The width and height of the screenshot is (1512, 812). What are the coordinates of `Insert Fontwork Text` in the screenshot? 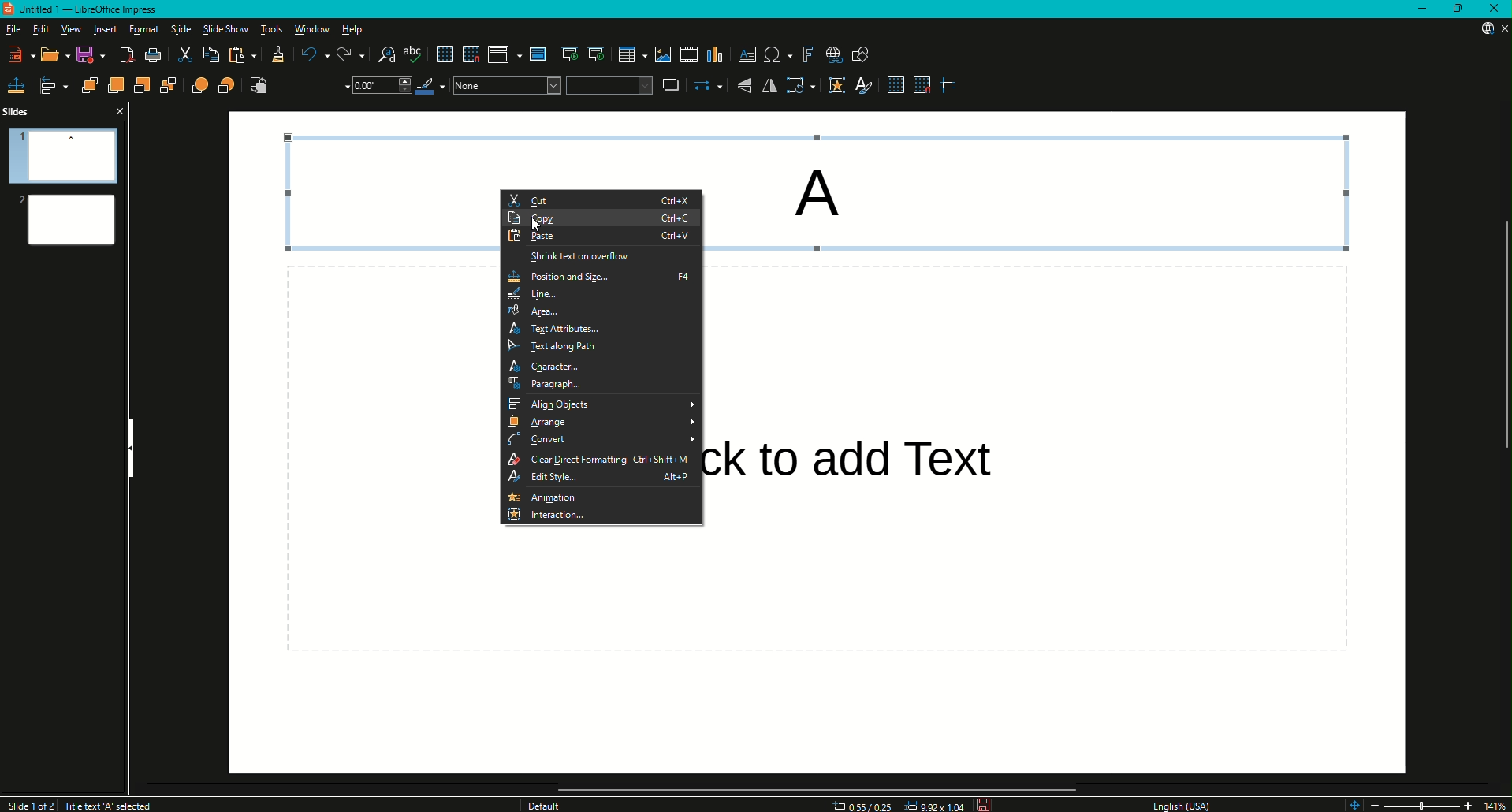 It's located at (807, 54).